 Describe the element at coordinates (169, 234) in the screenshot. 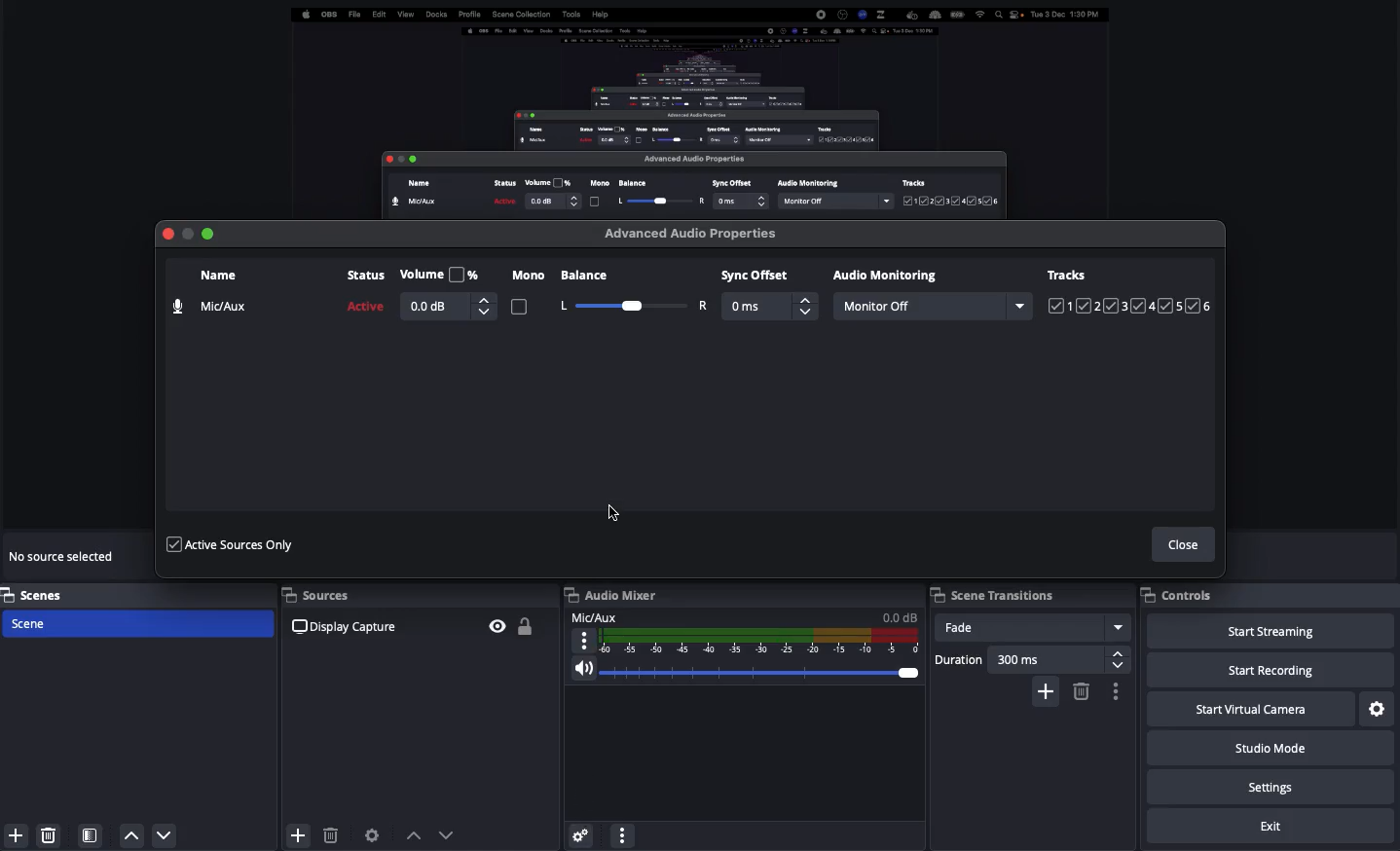

I see `Close` at that location.